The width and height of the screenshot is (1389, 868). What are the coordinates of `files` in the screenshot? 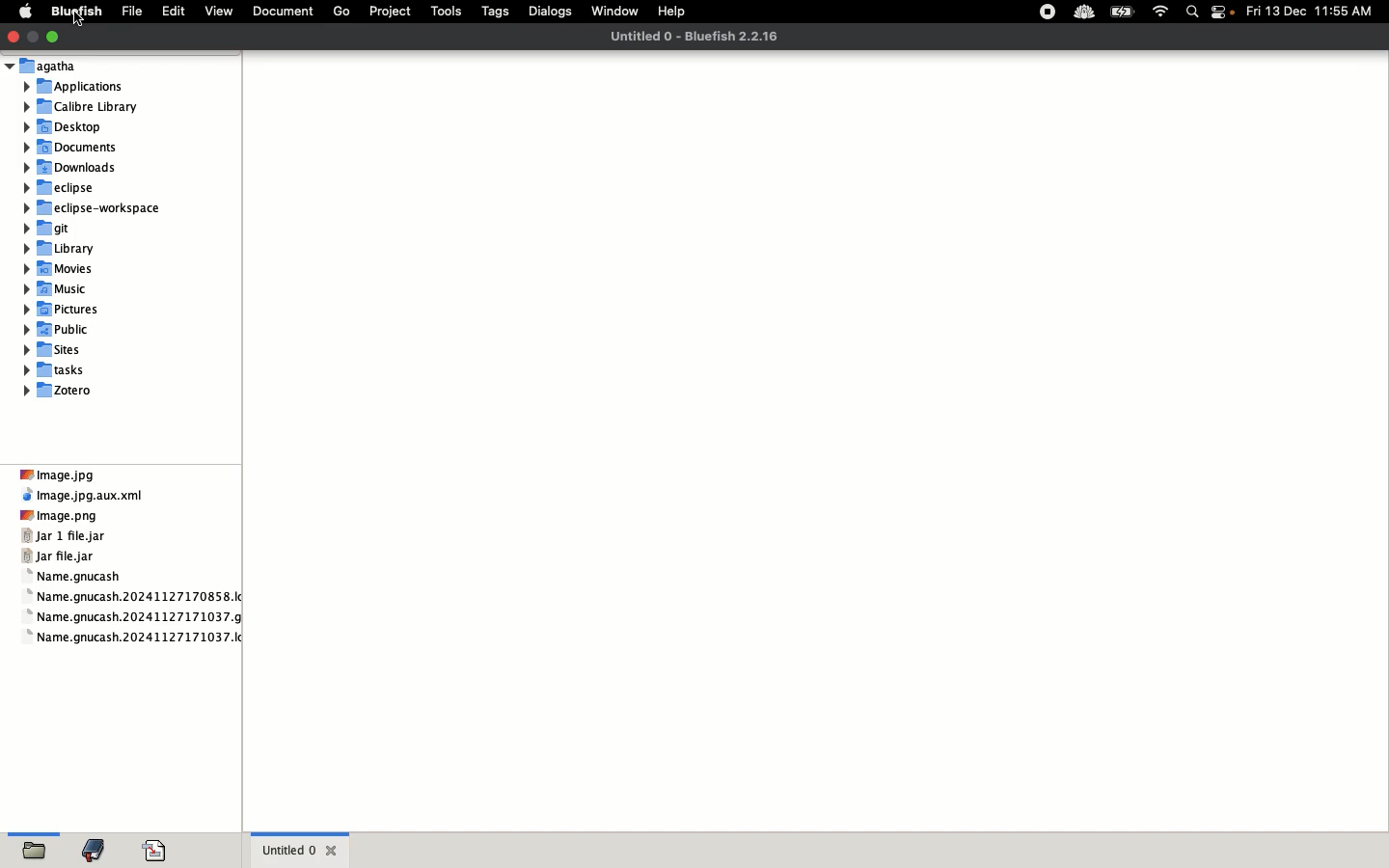 It's located at (134, 554).